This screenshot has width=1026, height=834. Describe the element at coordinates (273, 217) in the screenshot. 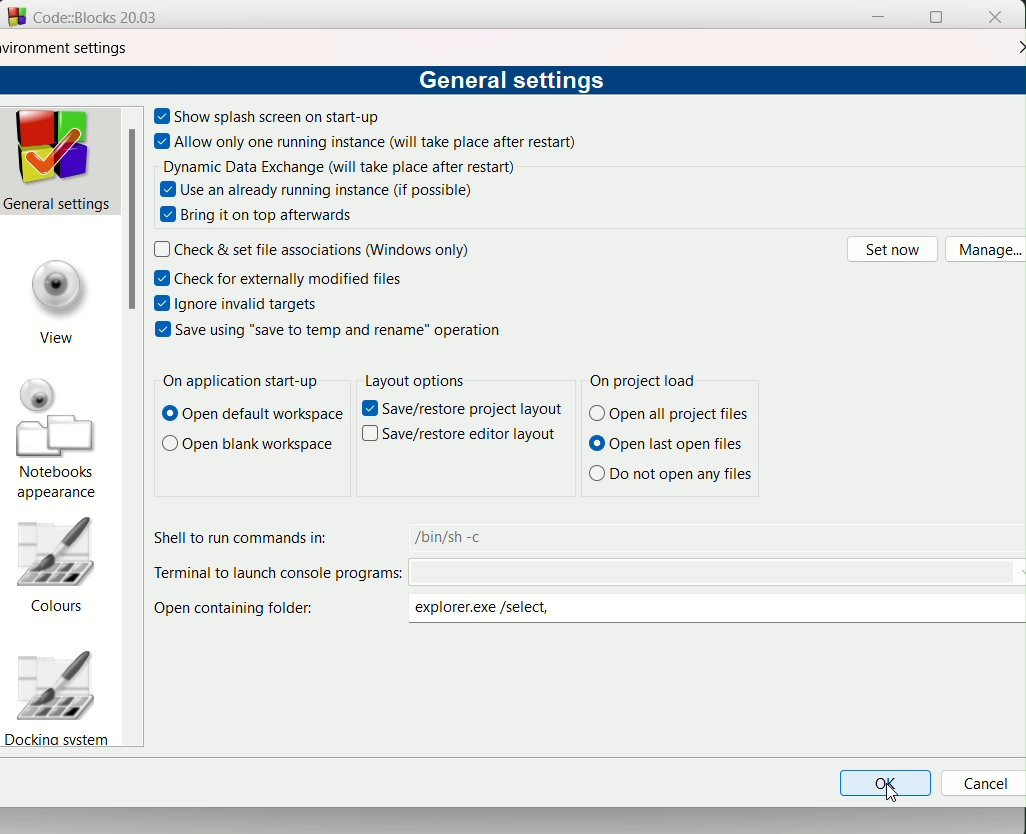

I see `text` at that location.